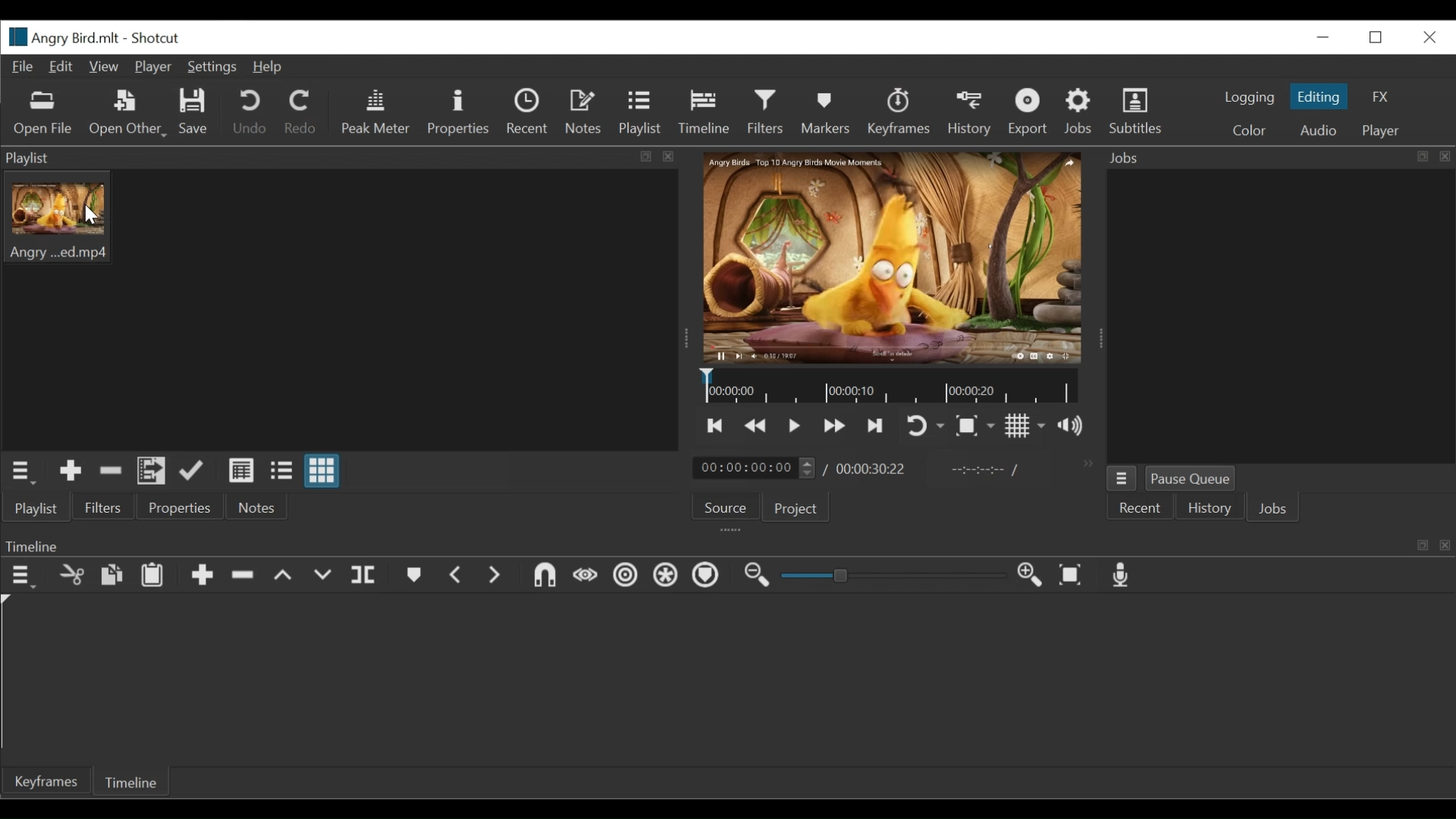  I want to click on File Name, so click(60, 36).